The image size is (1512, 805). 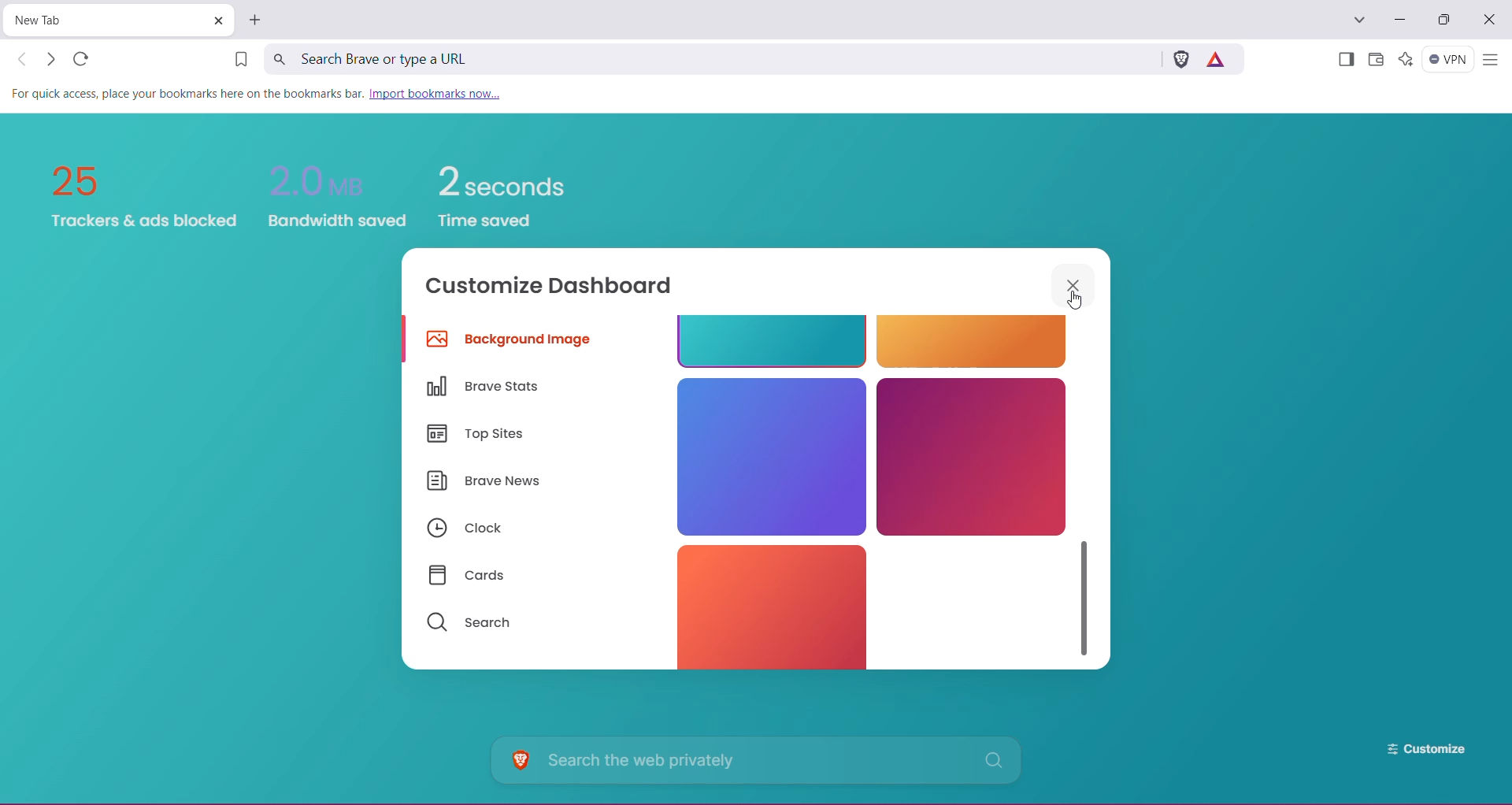 What do you see at coordinates (1219, 58) in the screenshot?
I see `Earn tokens for private Ads you see in Brave` at bounding box center [1219, 58].